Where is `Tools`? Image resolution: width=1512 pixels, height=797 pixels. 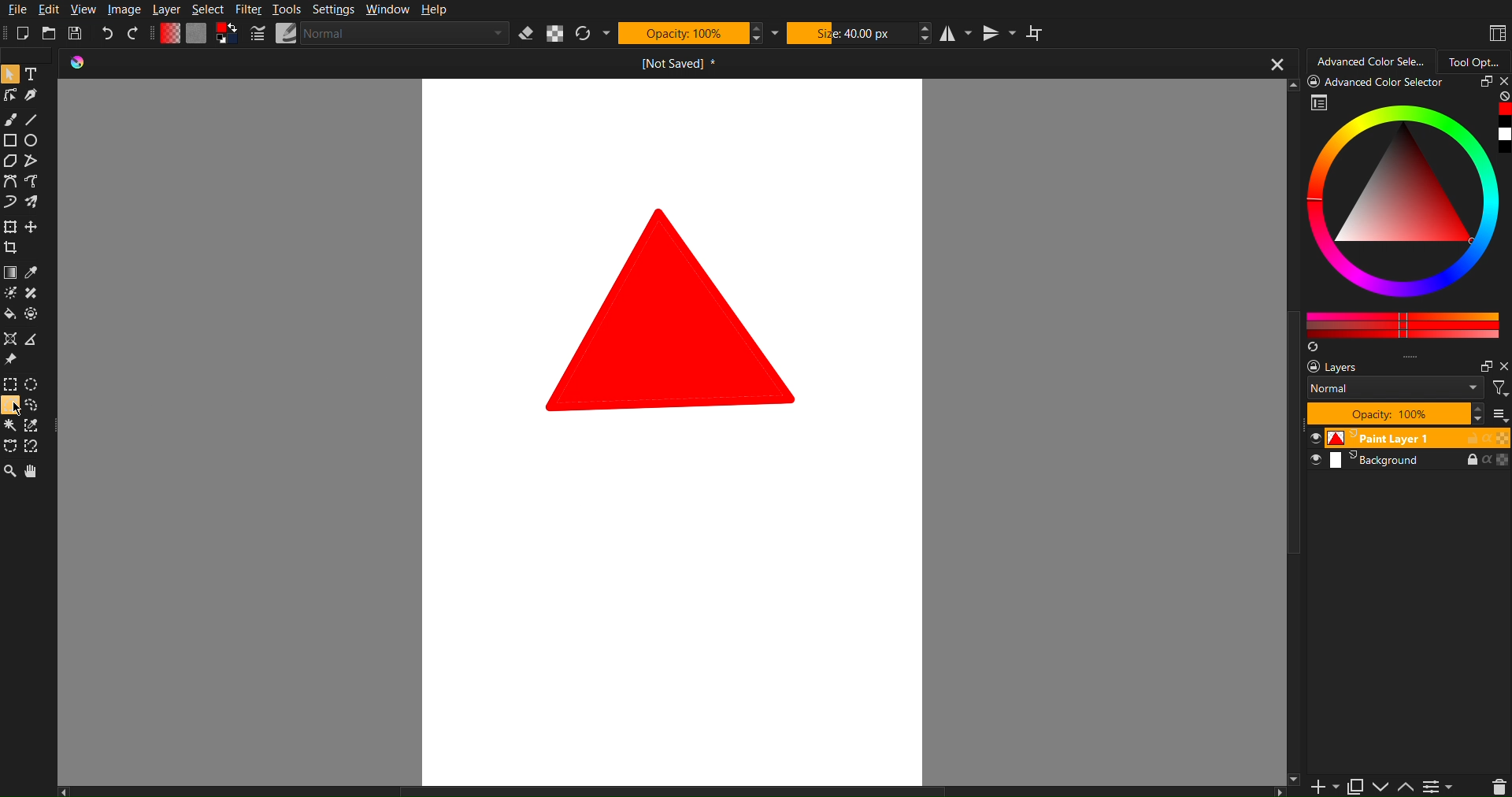
Tools is located at coordinates (287, 11).